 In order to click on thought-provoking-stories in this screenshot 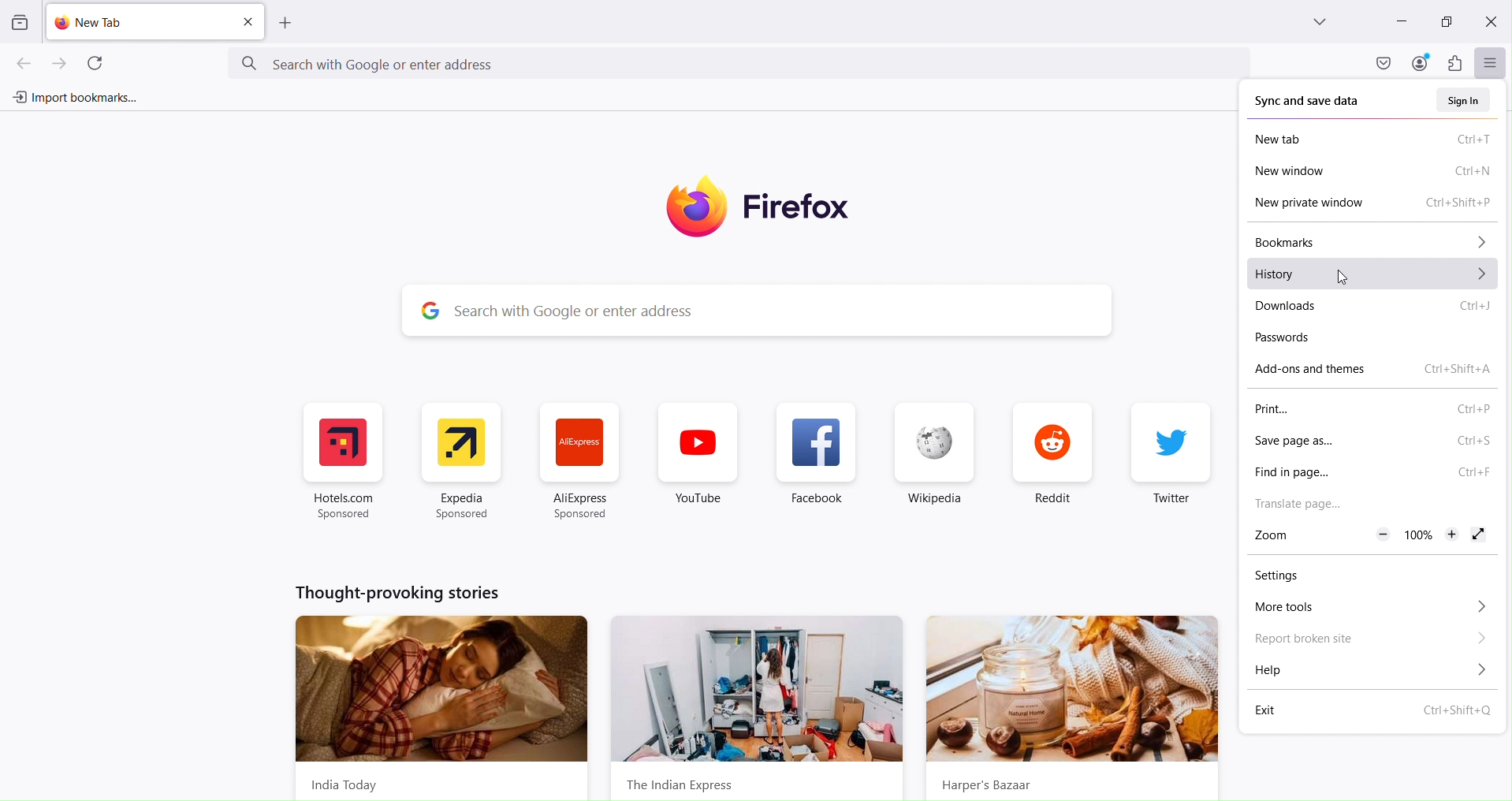, I will do `click(400, 593)`.